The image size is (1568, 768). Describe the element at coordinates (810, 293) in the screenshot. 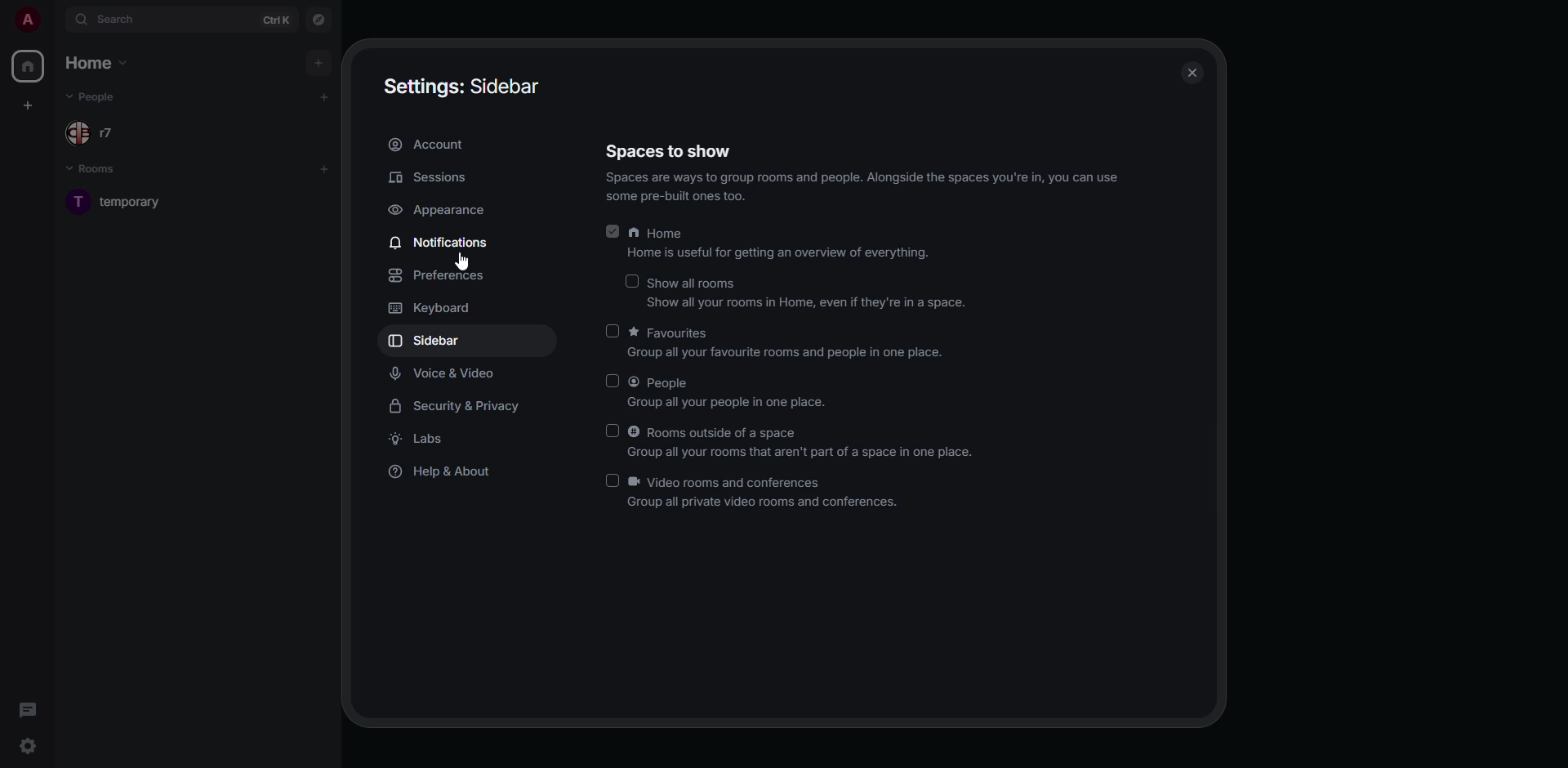

I see `show all rooms` at that location.